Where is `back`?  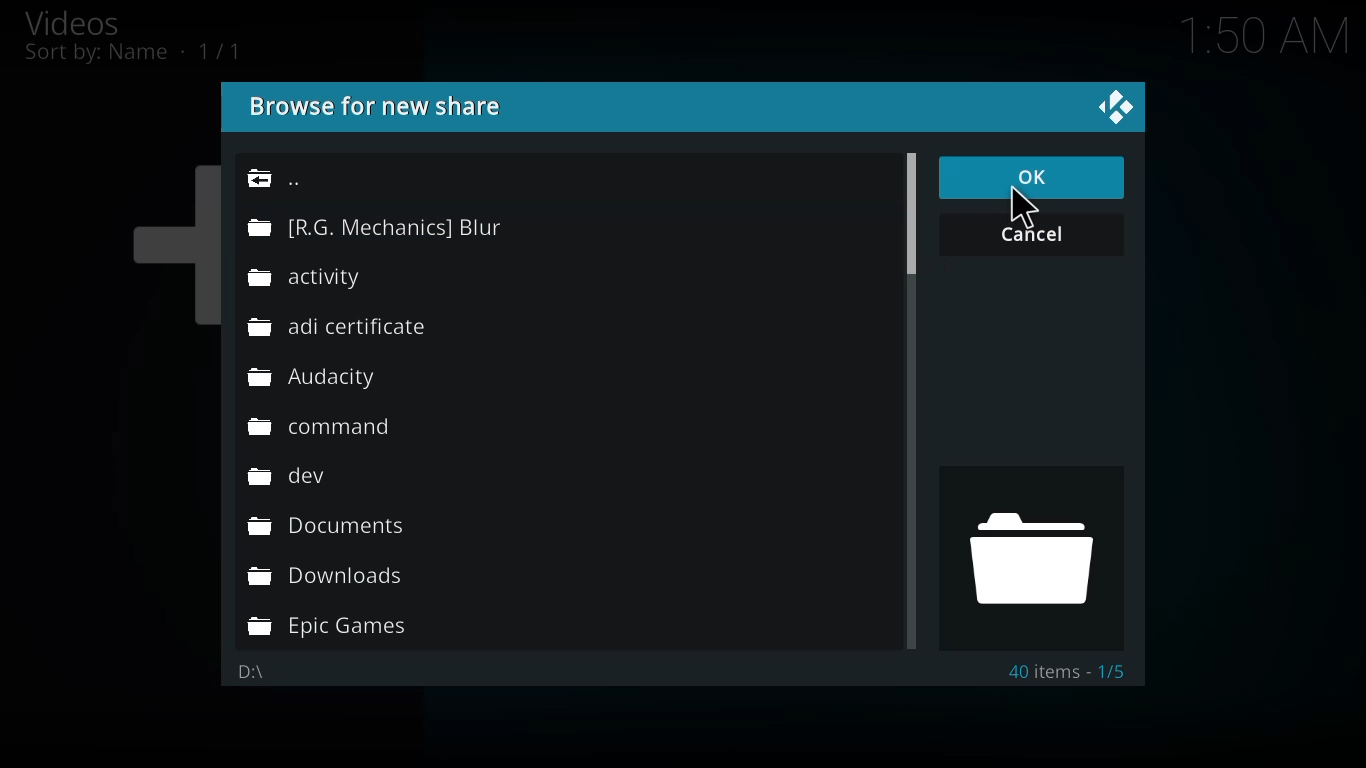
back is located at coordinates (295, 179).